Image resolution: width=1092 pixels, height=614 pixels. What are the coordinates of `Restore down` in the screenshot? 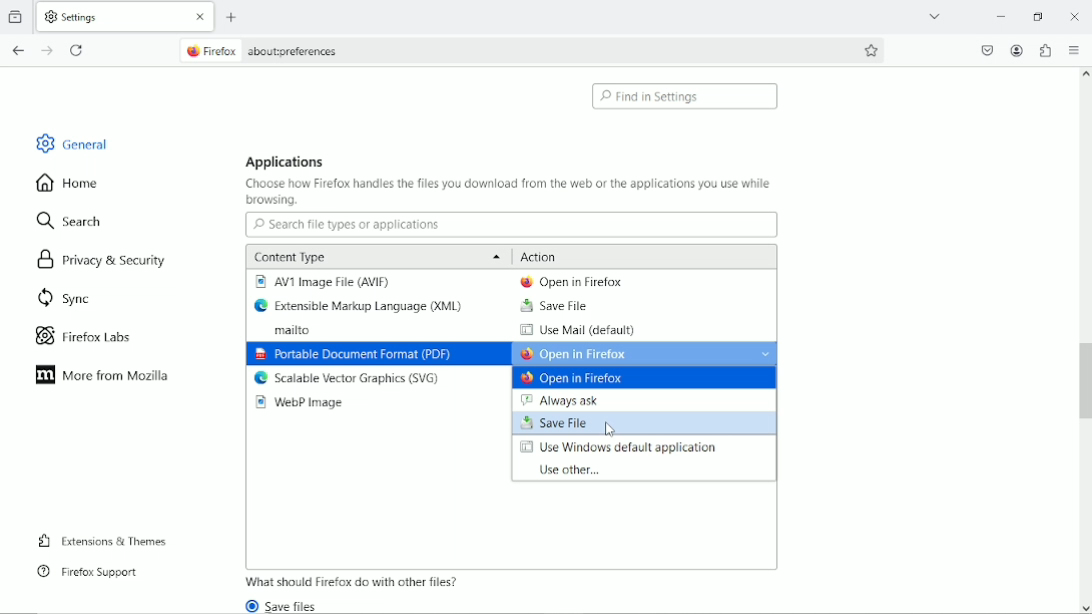 It's located at (1041, 17).